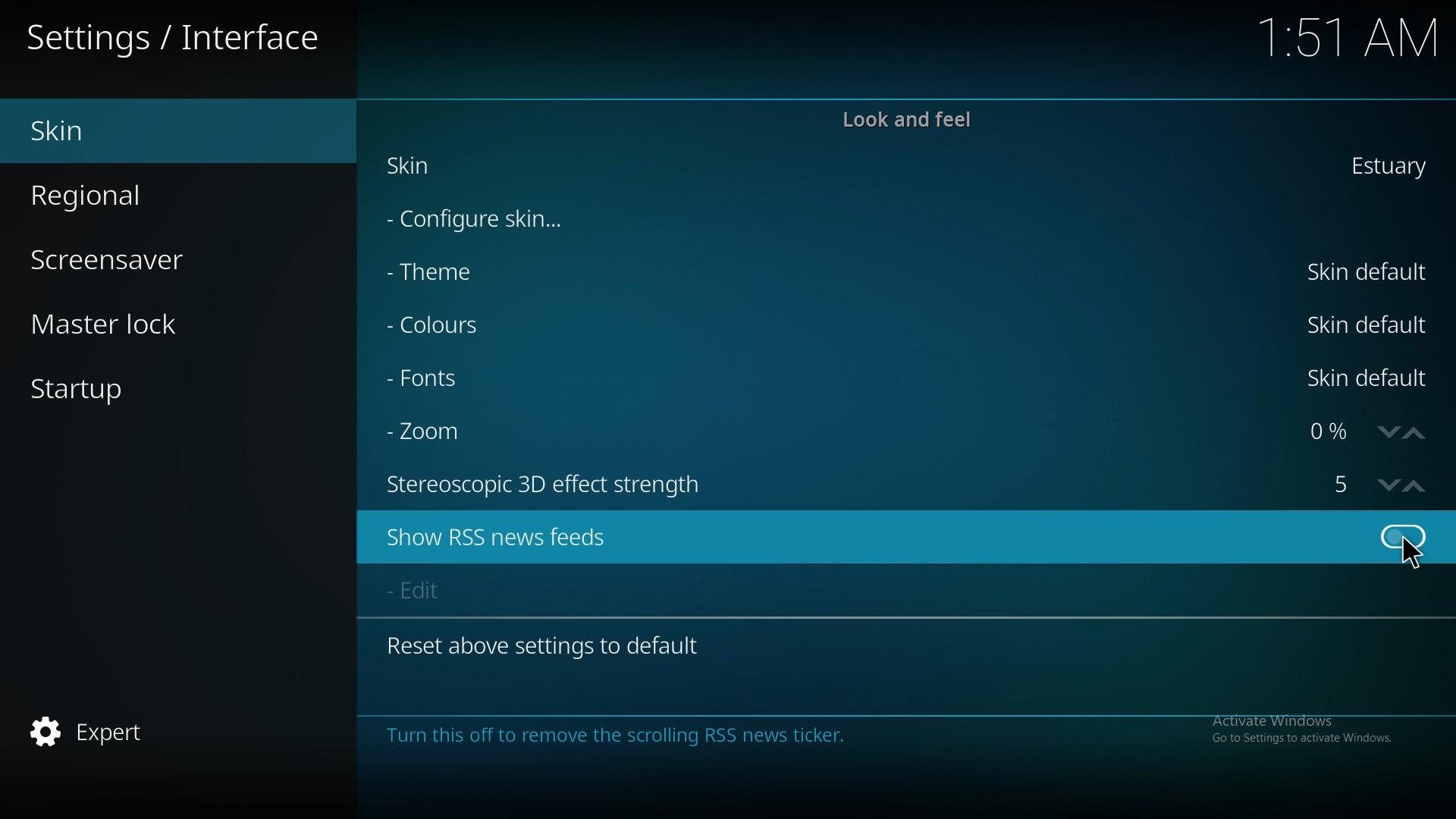  I want to click on configure skin, so click(487, 217).